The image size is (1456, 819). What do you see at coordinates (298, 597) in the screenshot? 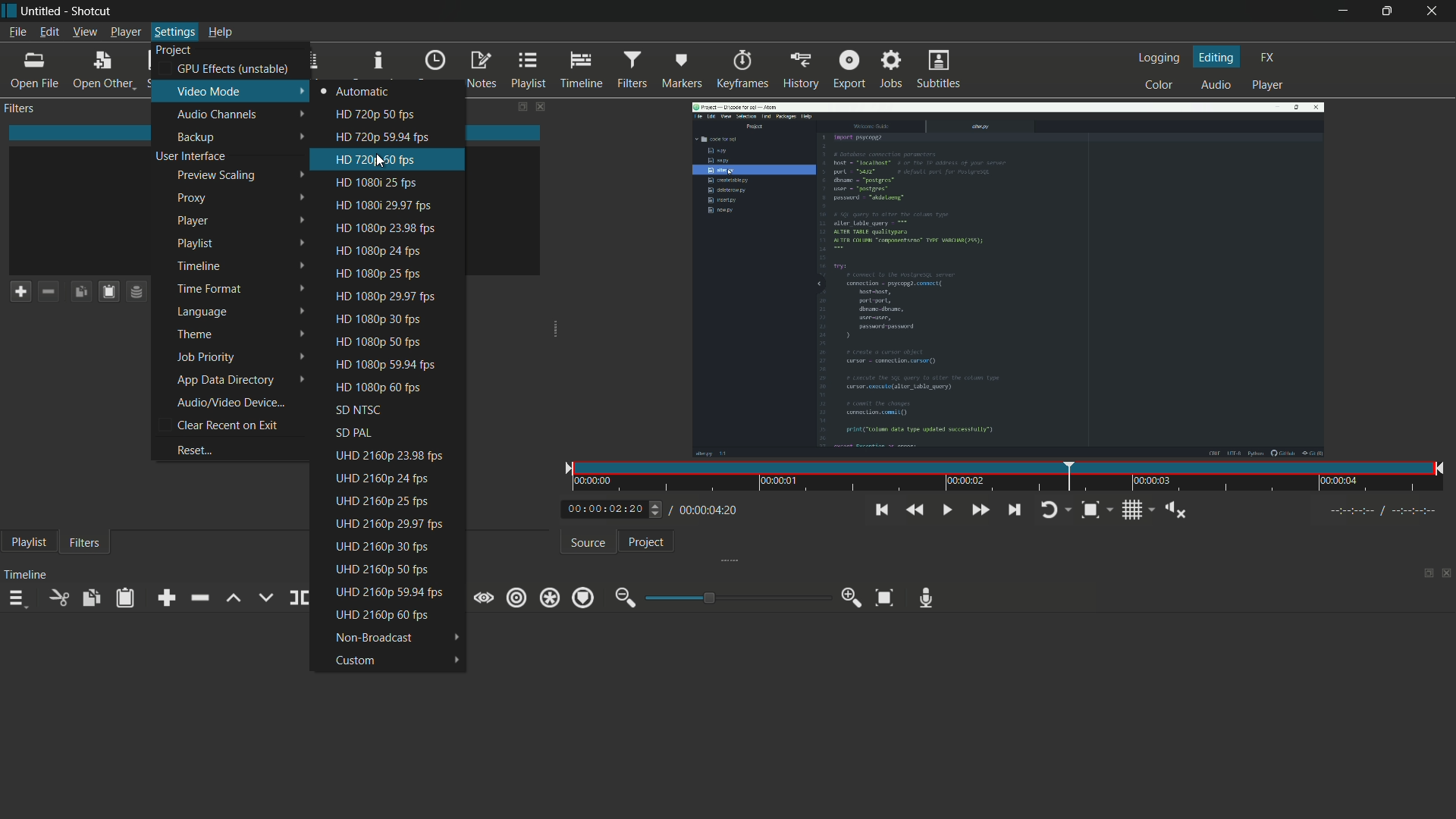
I see `split at playhead` at bounding box center [298, 597].